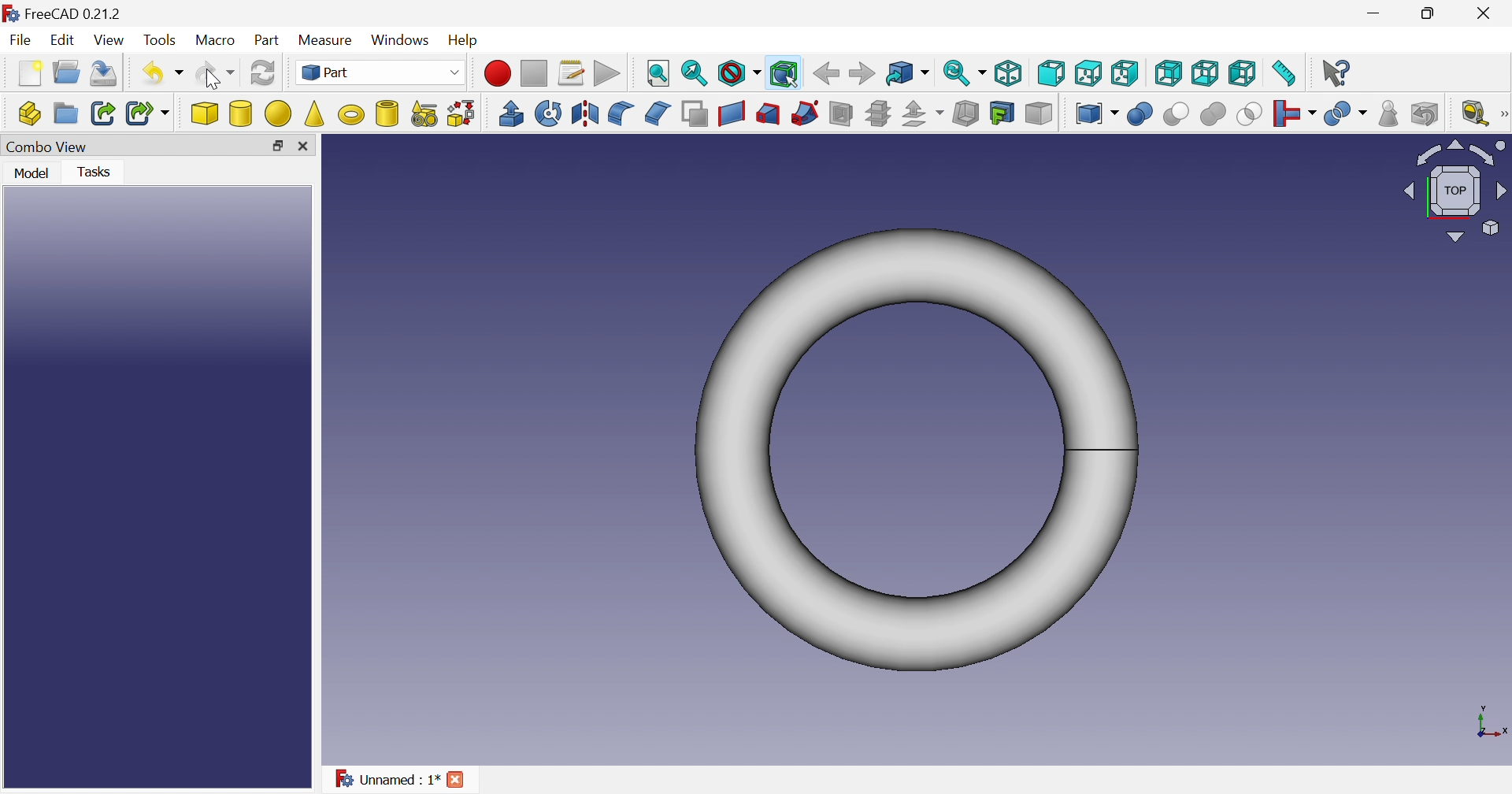  I want to click on New, so click(31, 72).